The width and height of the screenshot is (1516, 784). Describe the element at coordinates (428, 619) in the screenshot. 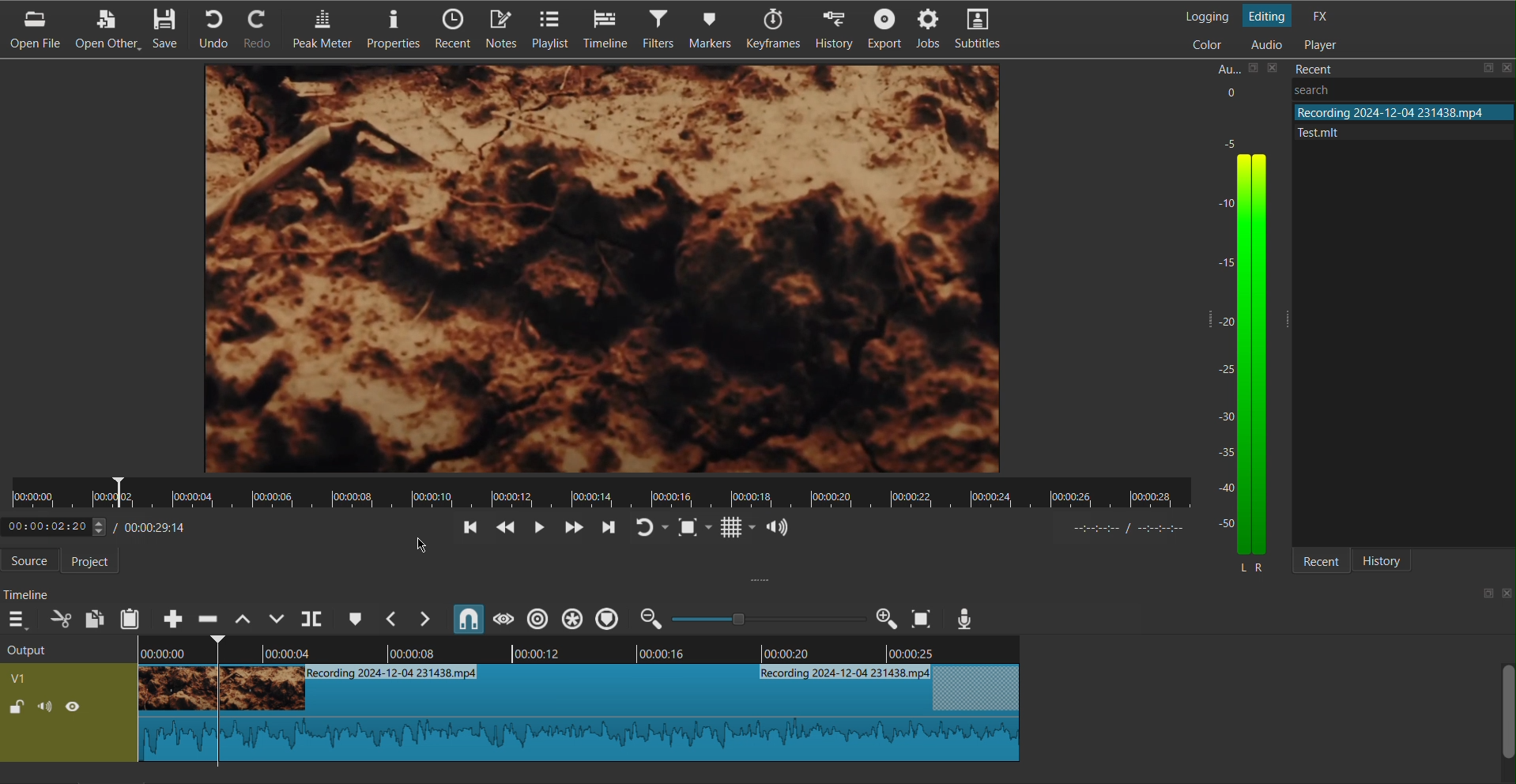

I see `Next Marker` at that location.